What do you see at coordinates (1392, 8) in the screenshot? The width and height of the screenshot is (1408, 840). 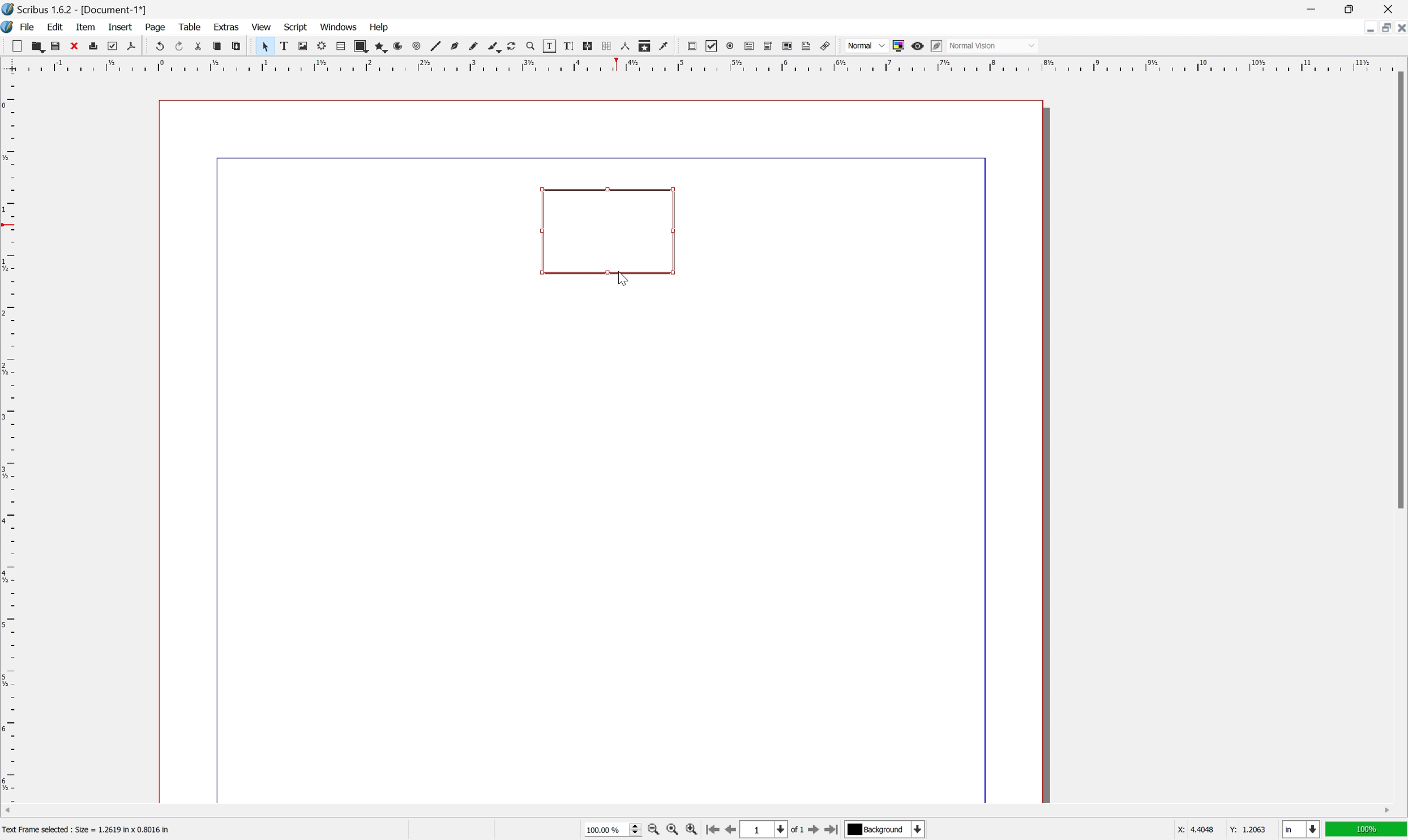 I see `close` at bounding box center [1392, 8].